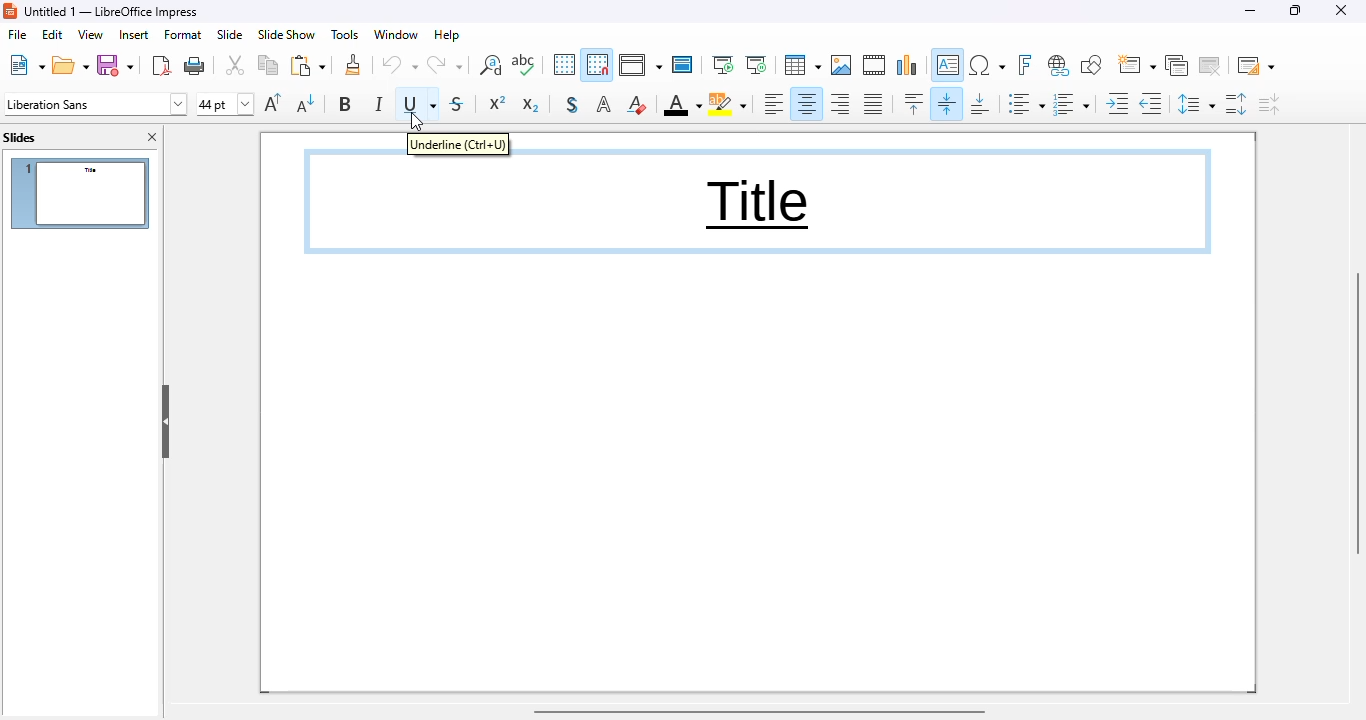 Image resolution: width=1366 pixels, height=720 pixels. I want to click on decrease paragraph spacing, so click(1270, 105).